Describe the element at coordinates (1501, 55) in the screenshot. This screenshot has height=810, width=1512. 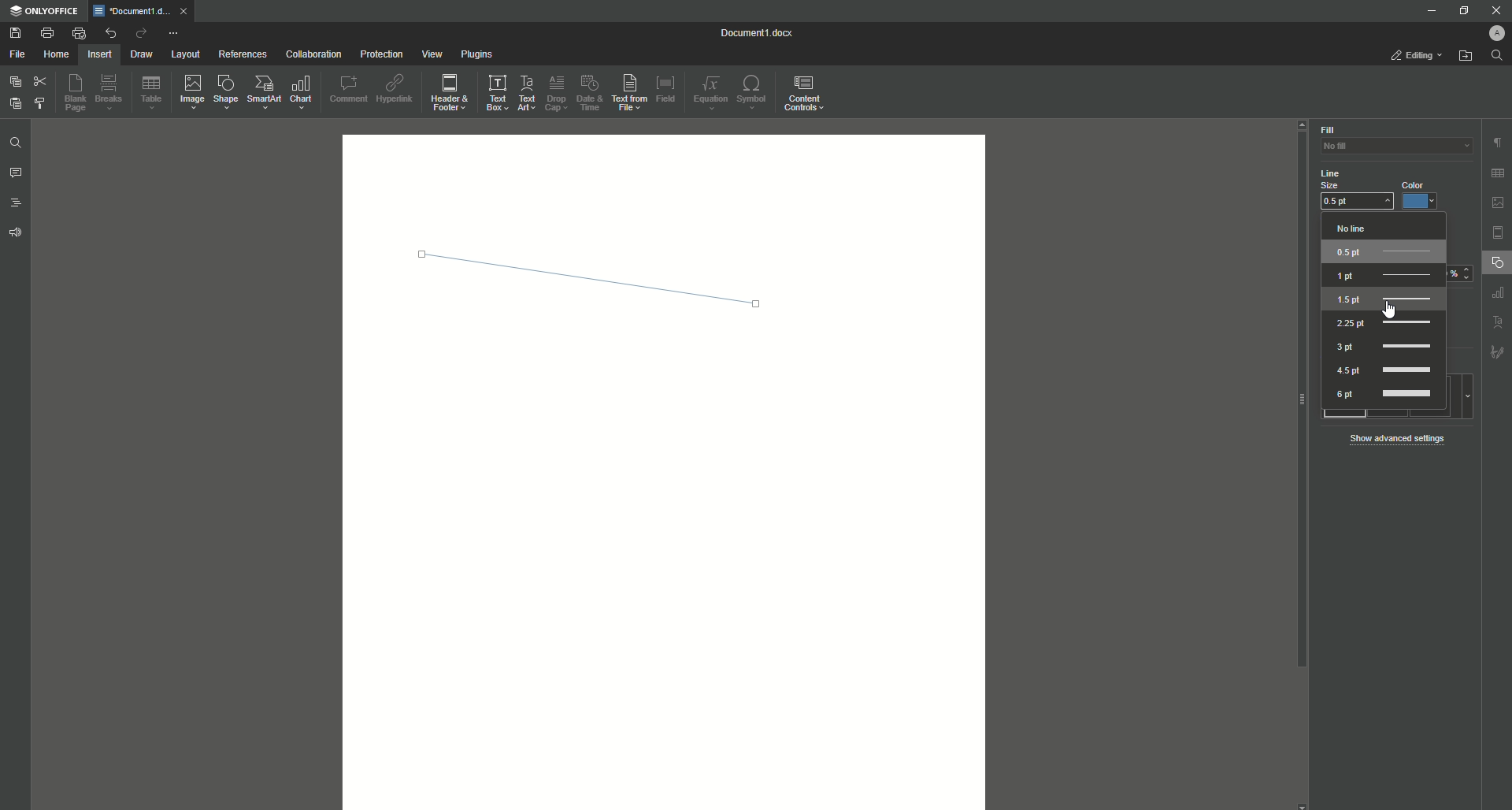
I see `Find` at that location.